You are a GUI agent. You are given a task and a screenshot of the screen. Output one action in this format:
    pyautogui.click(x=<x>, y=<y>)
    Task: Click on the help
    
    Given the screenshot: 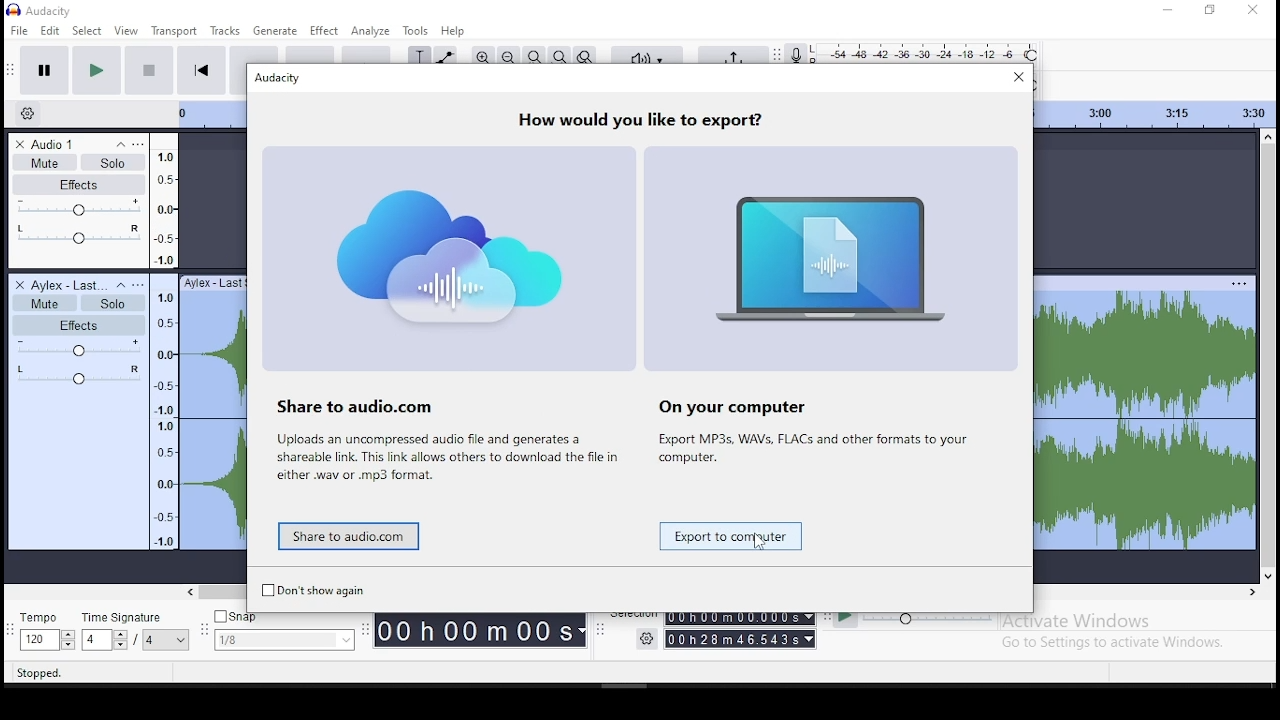 What is the action you would take?
    pyautogui.click(x=452, y=31)
    